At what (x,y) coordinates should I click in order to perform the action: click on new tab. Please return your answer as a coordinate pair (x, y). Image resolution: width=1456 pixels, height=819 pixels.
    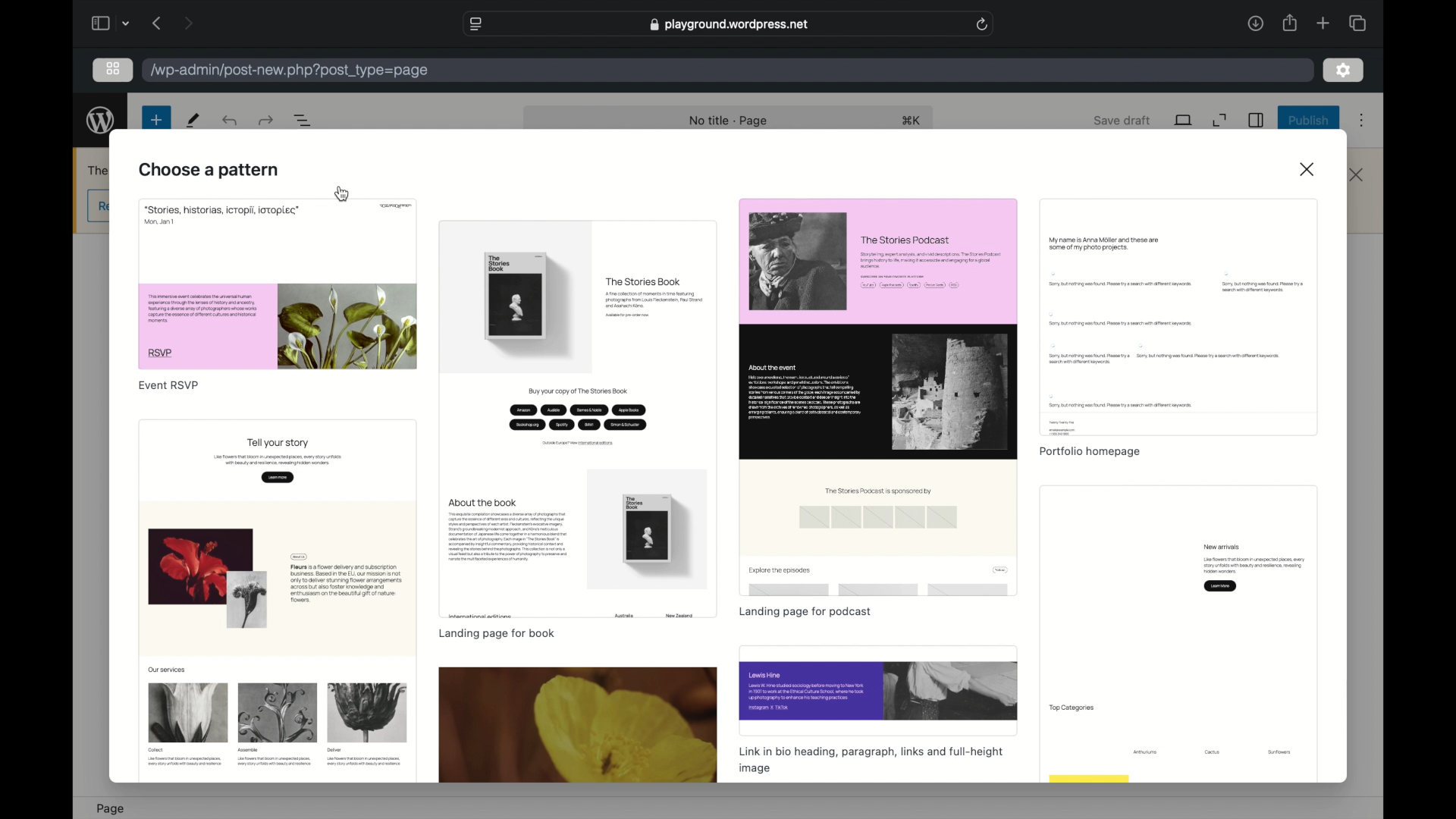
    Looking at the image, I should click on (1323, 23).